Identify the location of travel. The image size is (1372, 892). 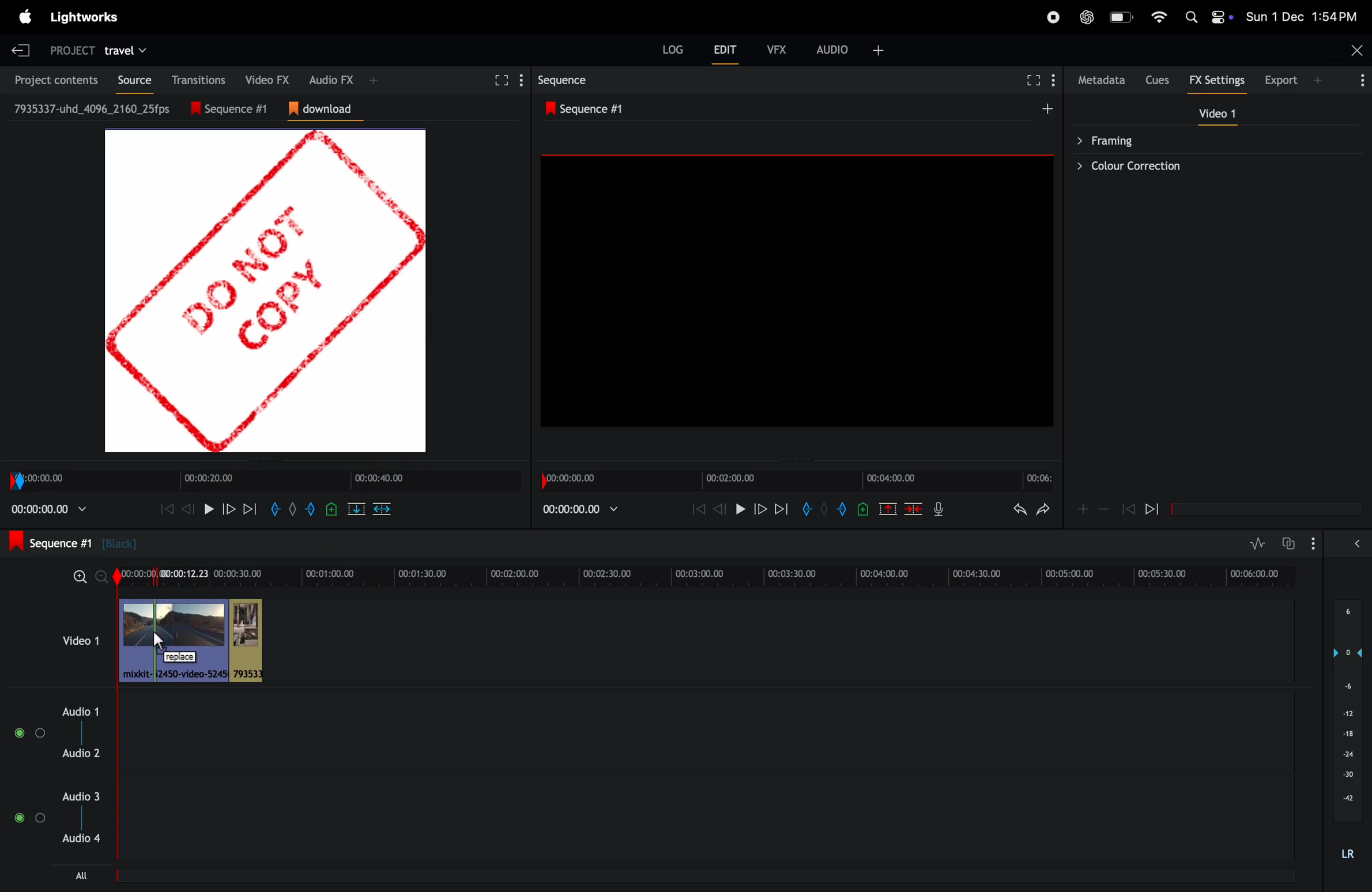
(125, 52).